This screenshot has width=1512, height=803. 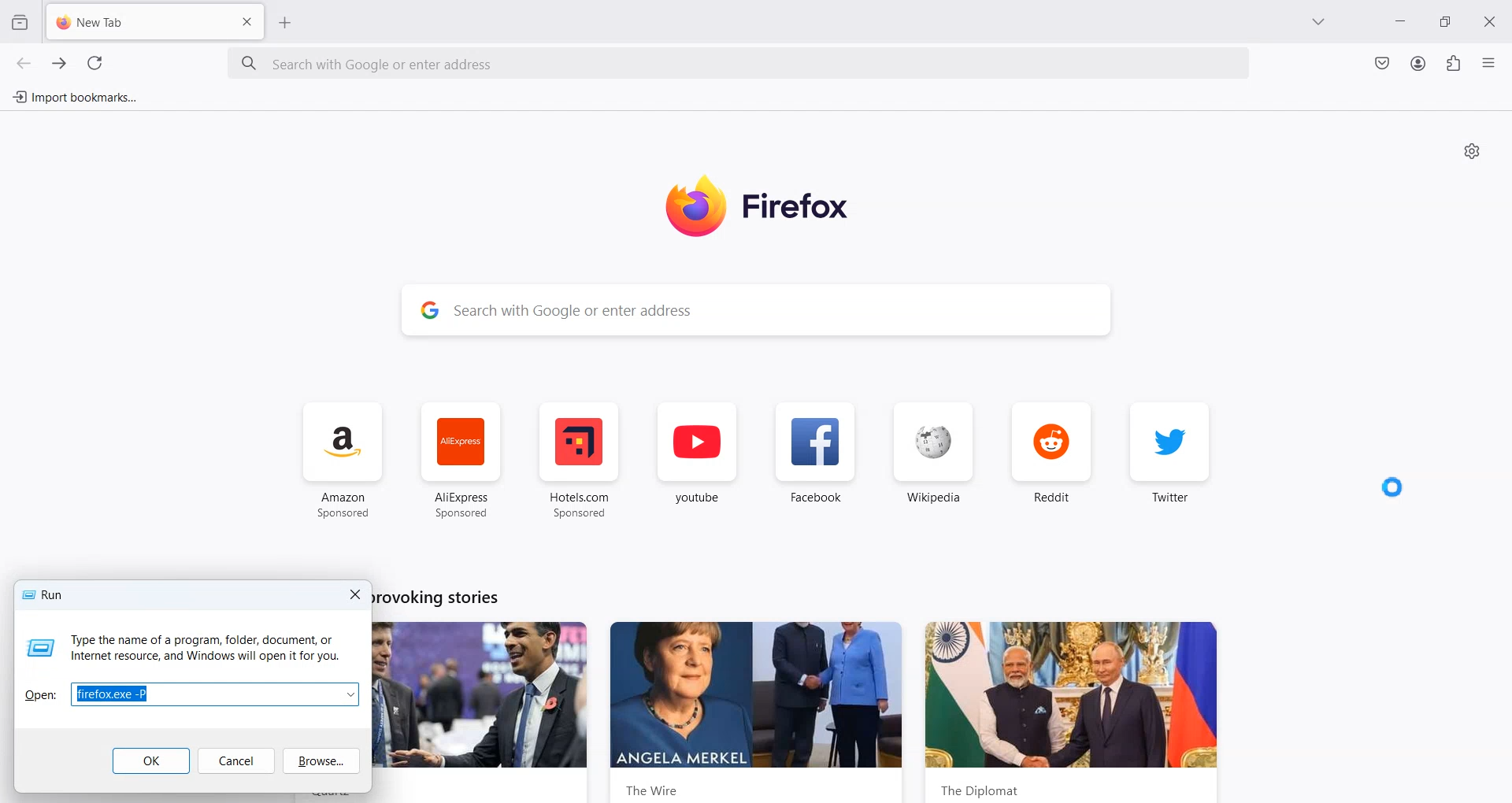 What do you see at coordinates (132, 23) in the screenshot?
I see `New Tab` at bounding box center [132, 23].